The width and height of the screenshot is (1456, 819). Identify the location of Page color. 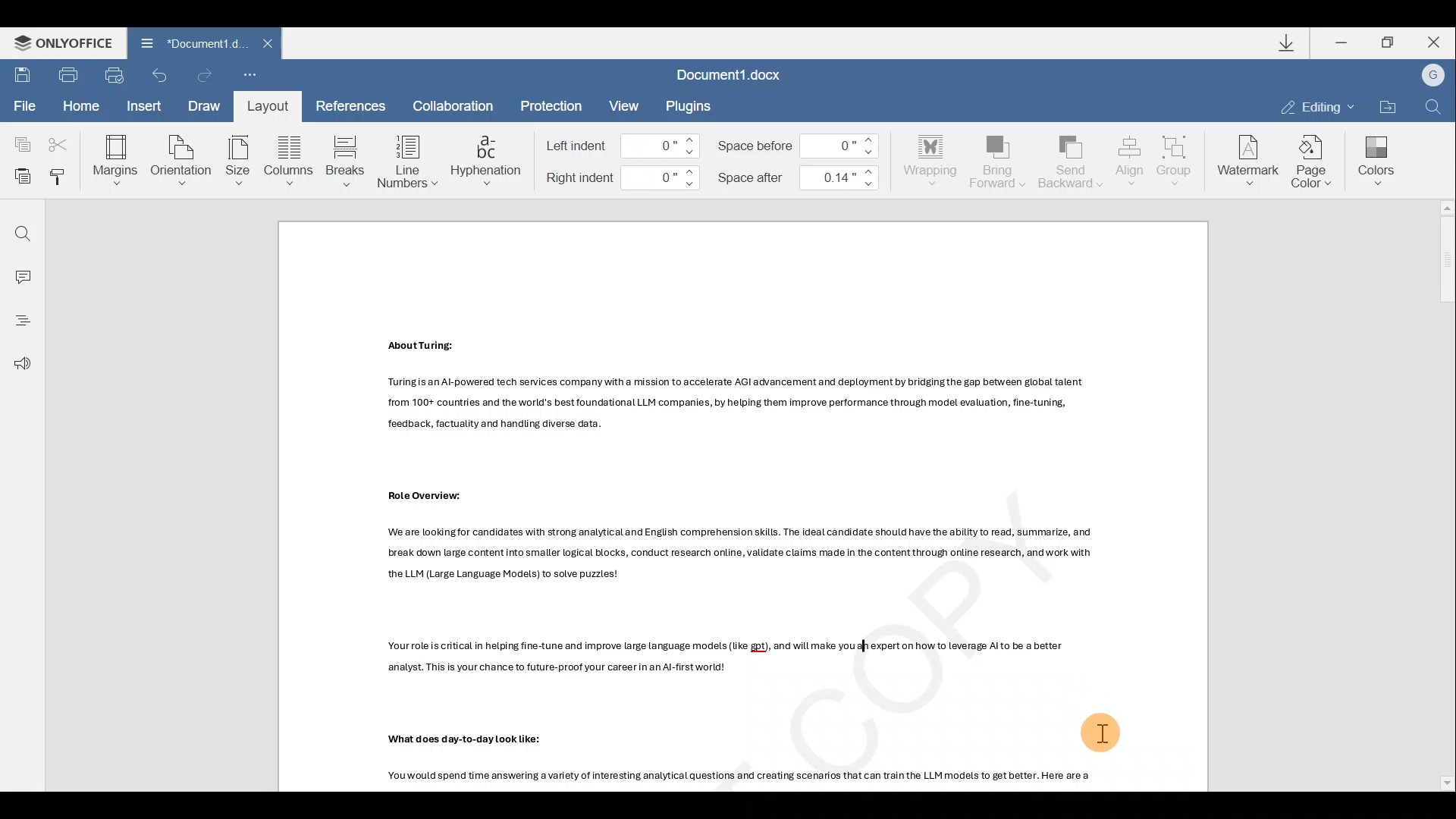
(1316, 164).